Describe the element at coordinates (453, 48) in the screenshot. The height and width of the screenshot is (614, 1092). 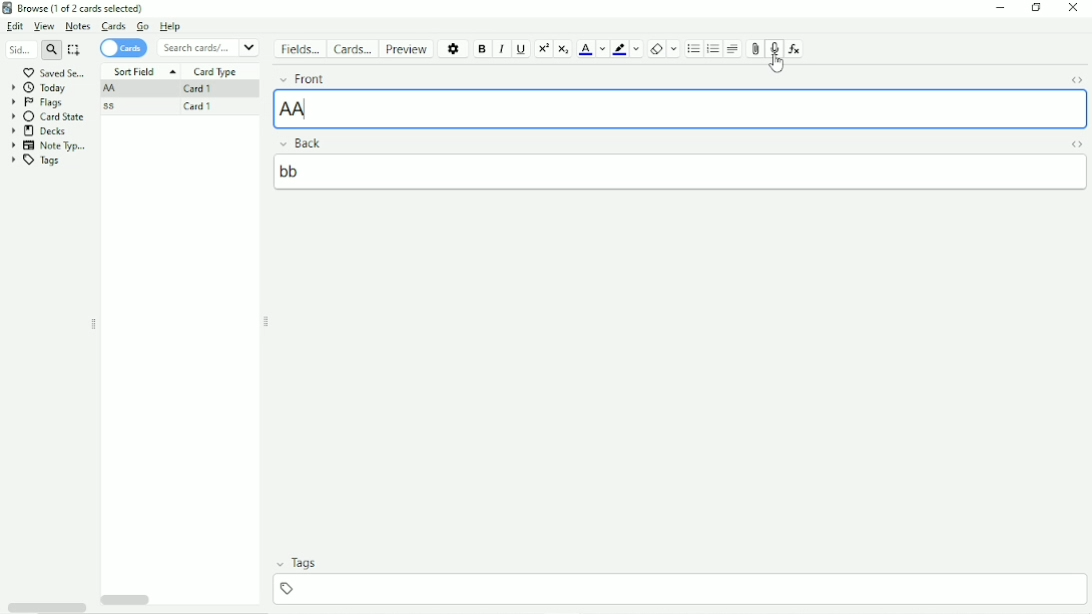
I see `Options` at that location.